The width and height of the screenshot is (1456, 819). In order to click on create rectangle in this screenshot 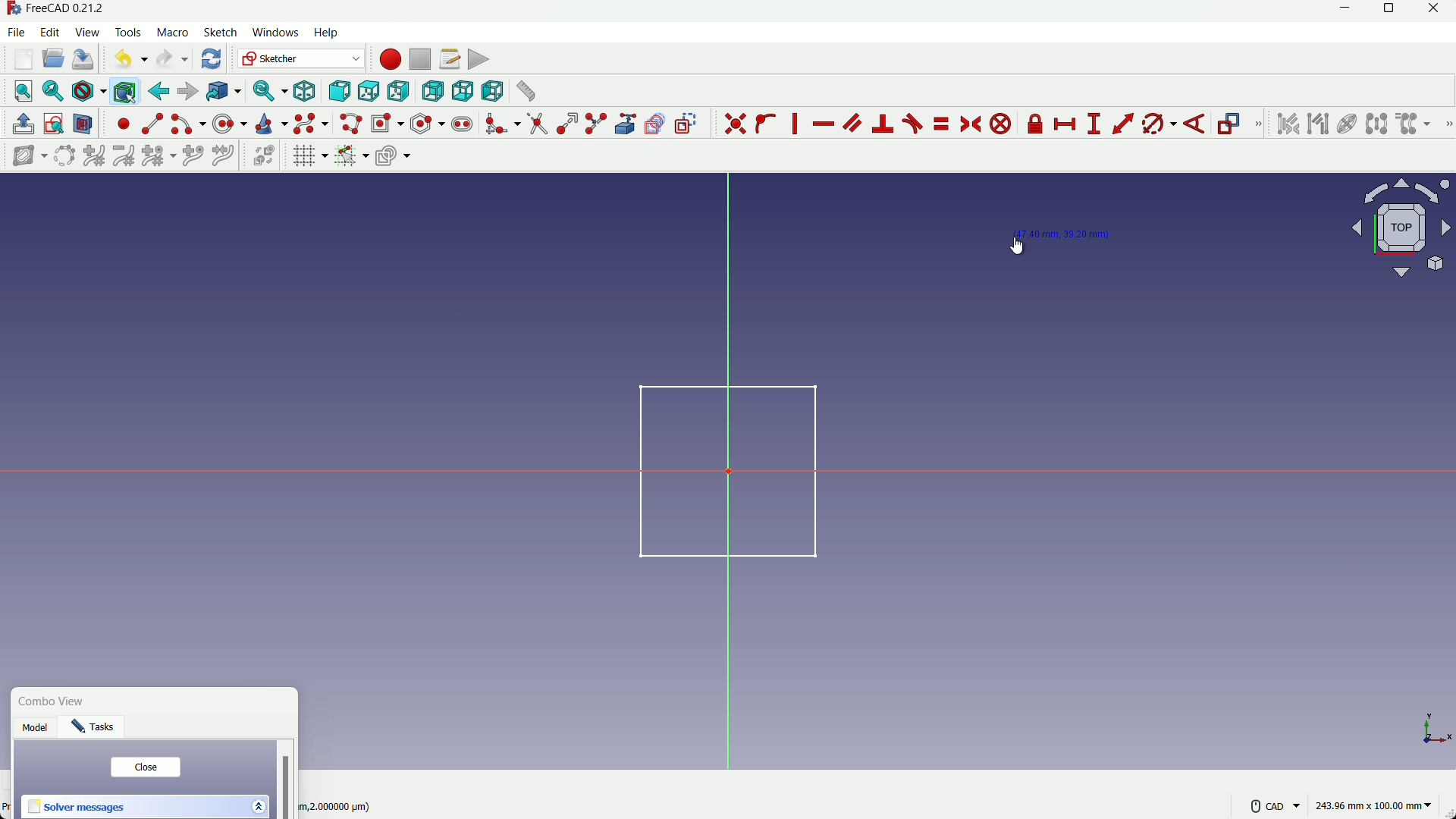, I will do `click(386, 123)`.